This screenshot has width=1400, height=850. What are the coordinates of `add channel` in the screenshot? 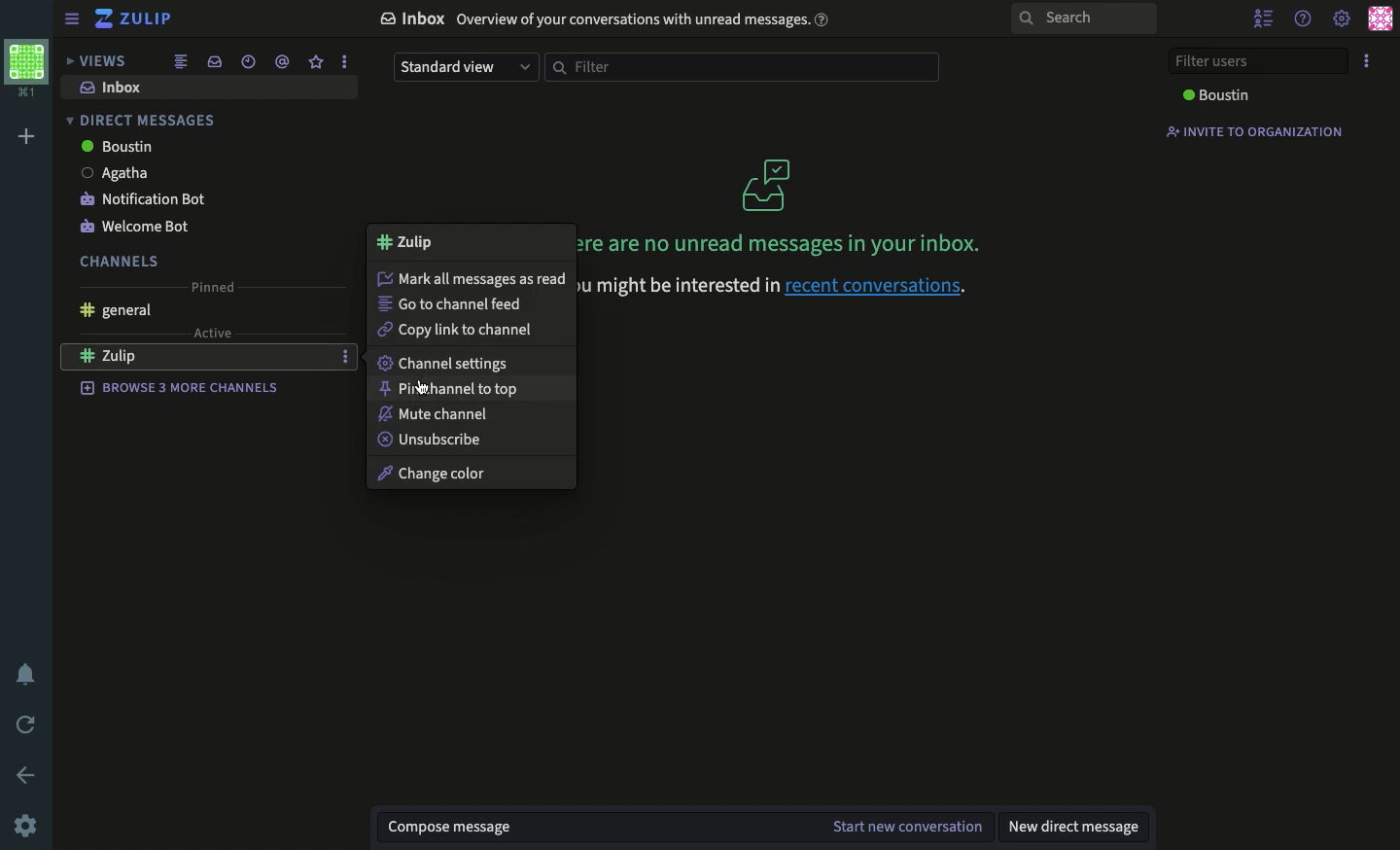 It's located at (317, 357).